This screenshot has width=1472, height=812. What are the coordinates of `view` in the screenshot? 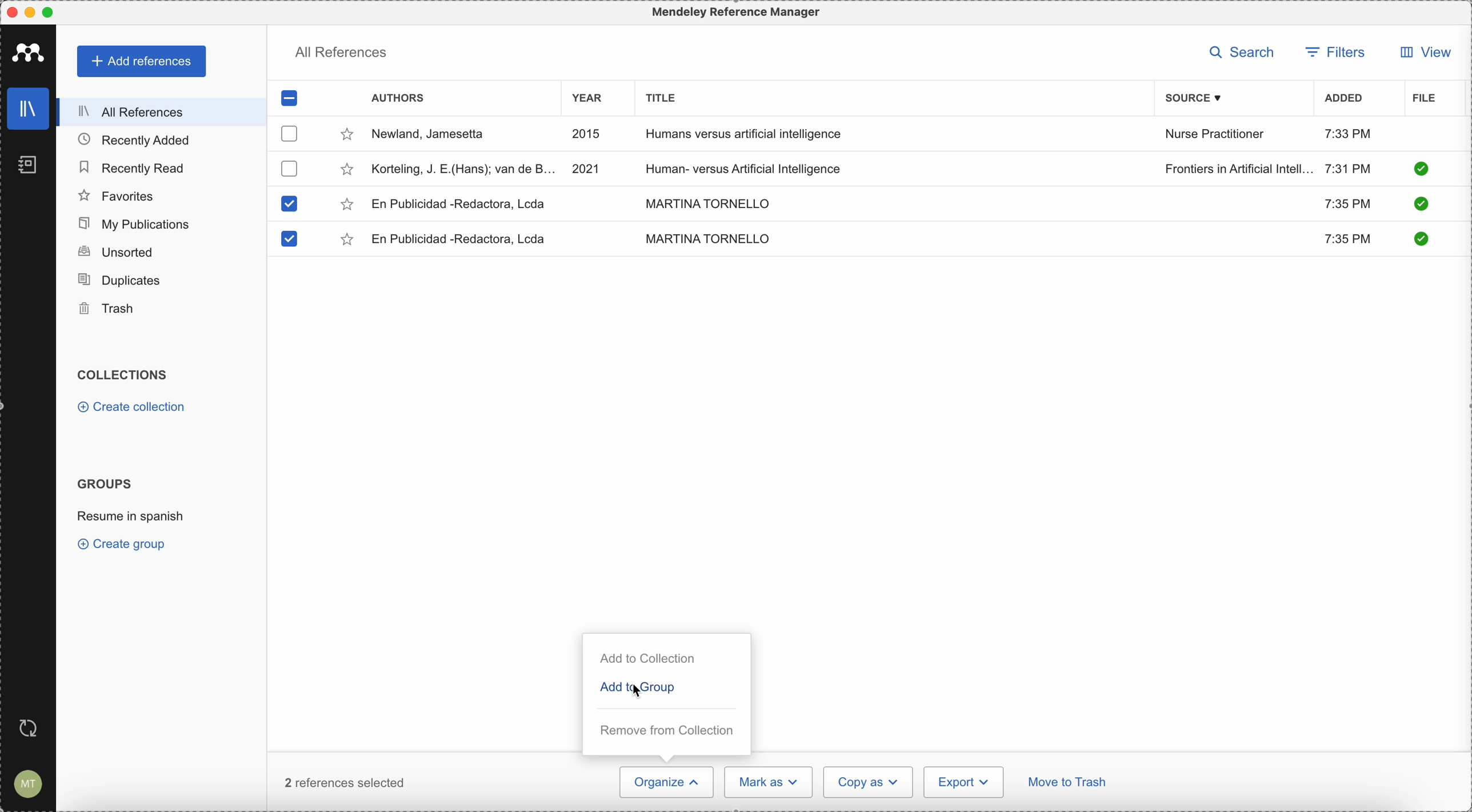 It's located at (1422, 52).